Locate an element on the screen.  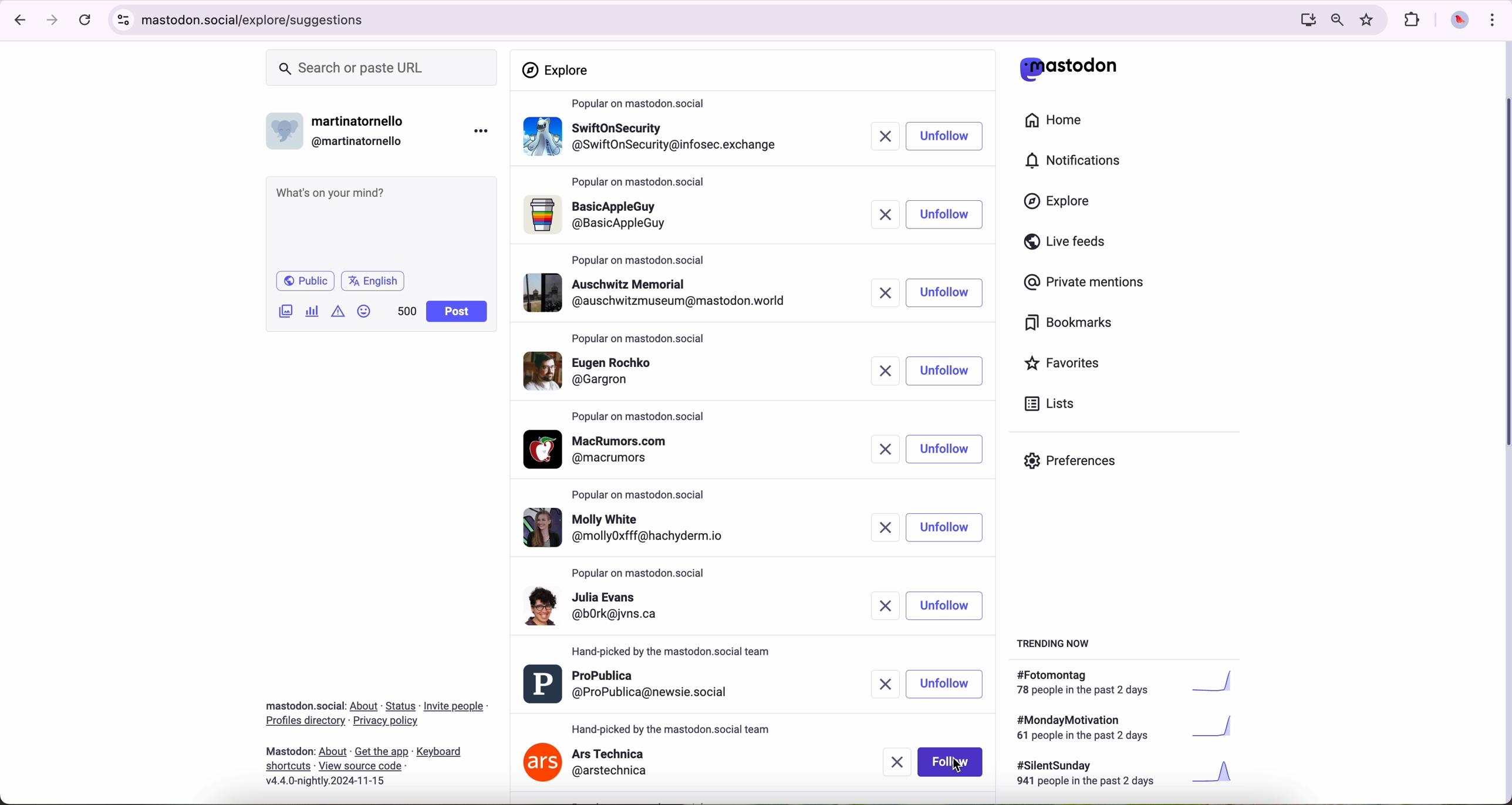
username is located at coordinates (341, 128).